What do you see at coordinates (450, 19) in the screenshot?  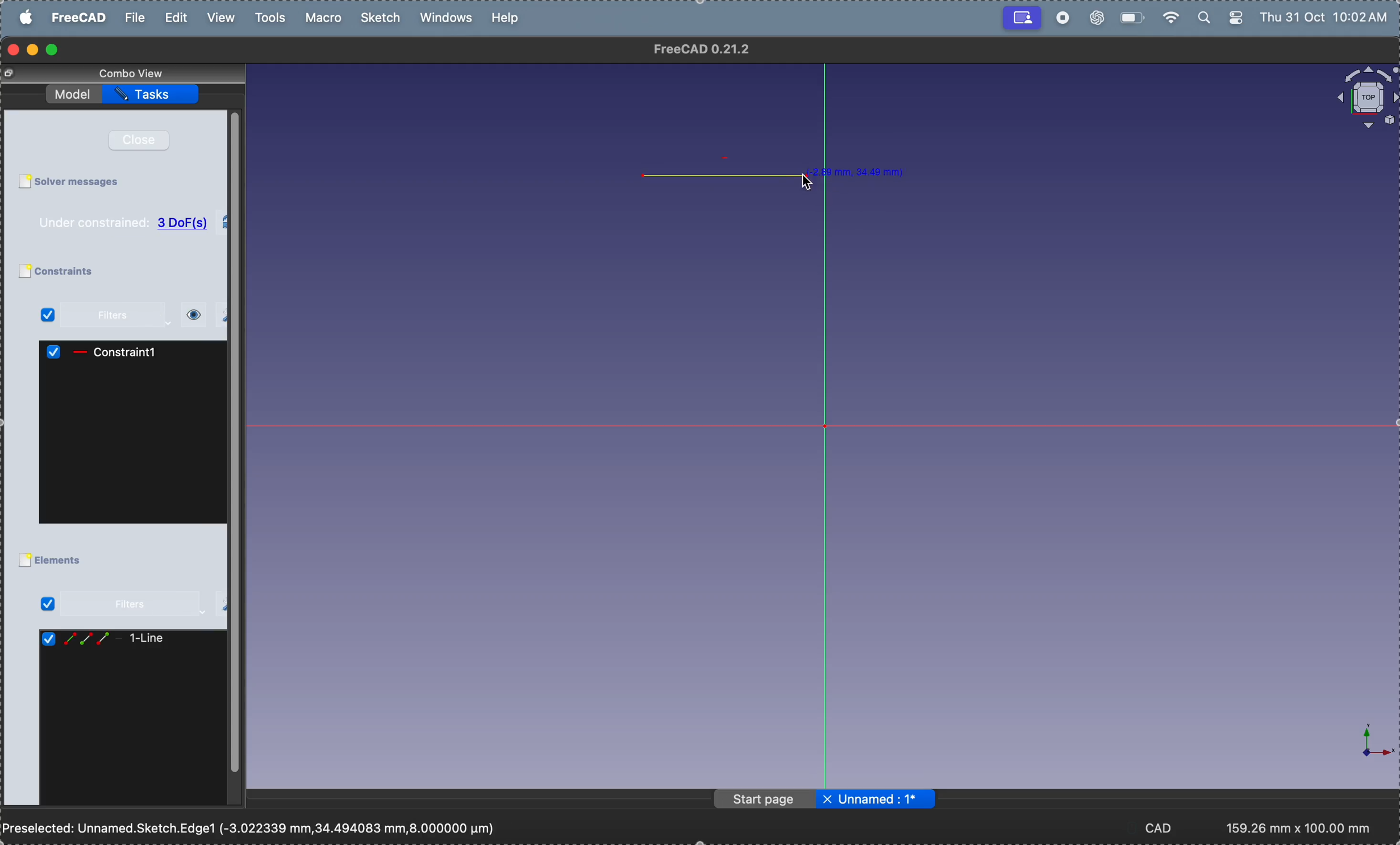 I see `windows` at bounding box center [450, 19].